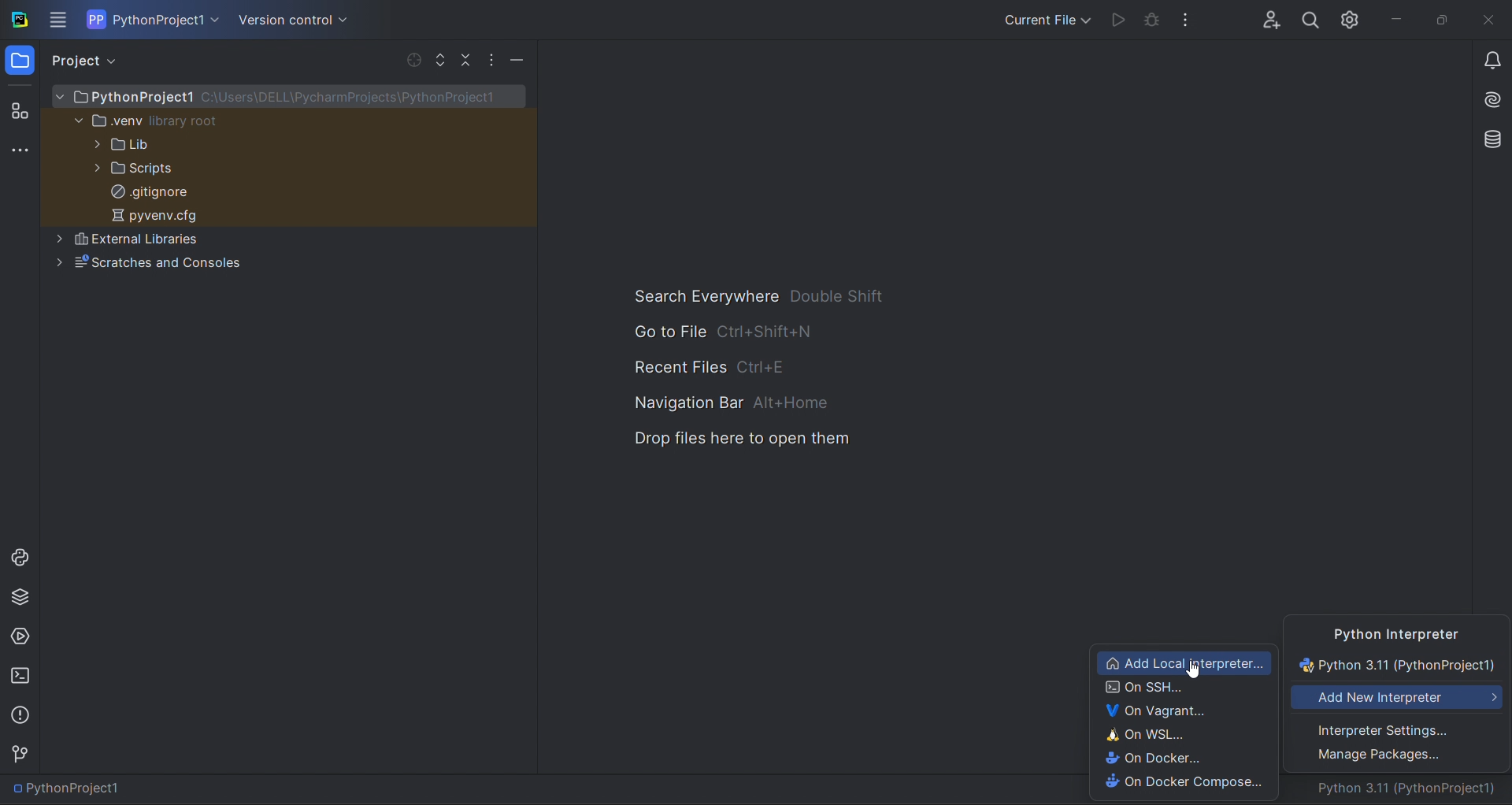  I want to click on settings, so click(1352, 17).